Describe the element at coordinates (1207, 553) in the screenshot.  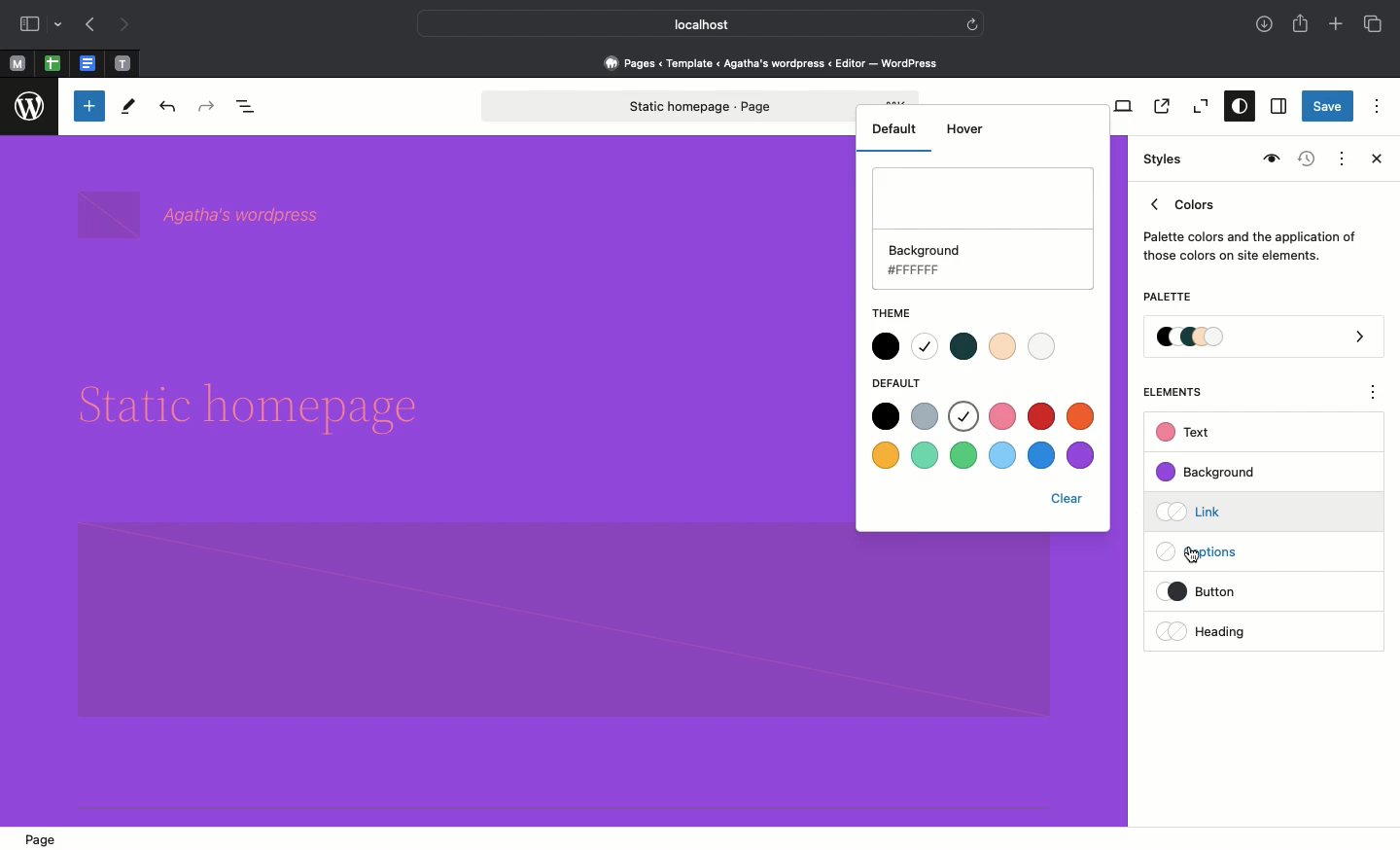
I see `Captions` at that location.